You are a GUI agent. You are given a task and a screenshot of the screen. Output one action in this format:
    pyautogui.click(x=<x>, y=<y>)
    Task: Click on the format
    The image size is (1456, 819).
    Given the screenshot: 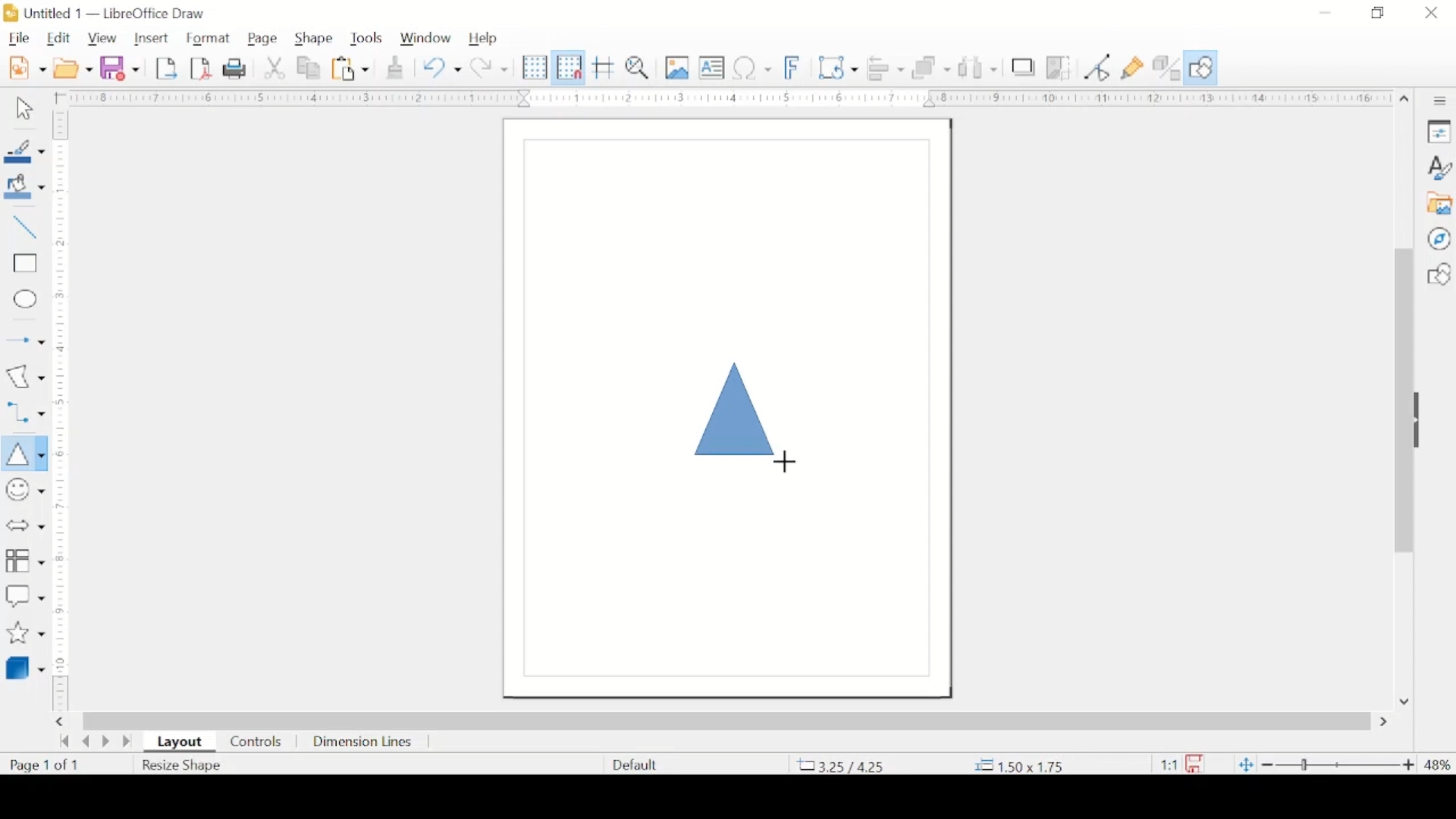 What is the action you would take?
    pyautogui.click(x=207, y=38)
    